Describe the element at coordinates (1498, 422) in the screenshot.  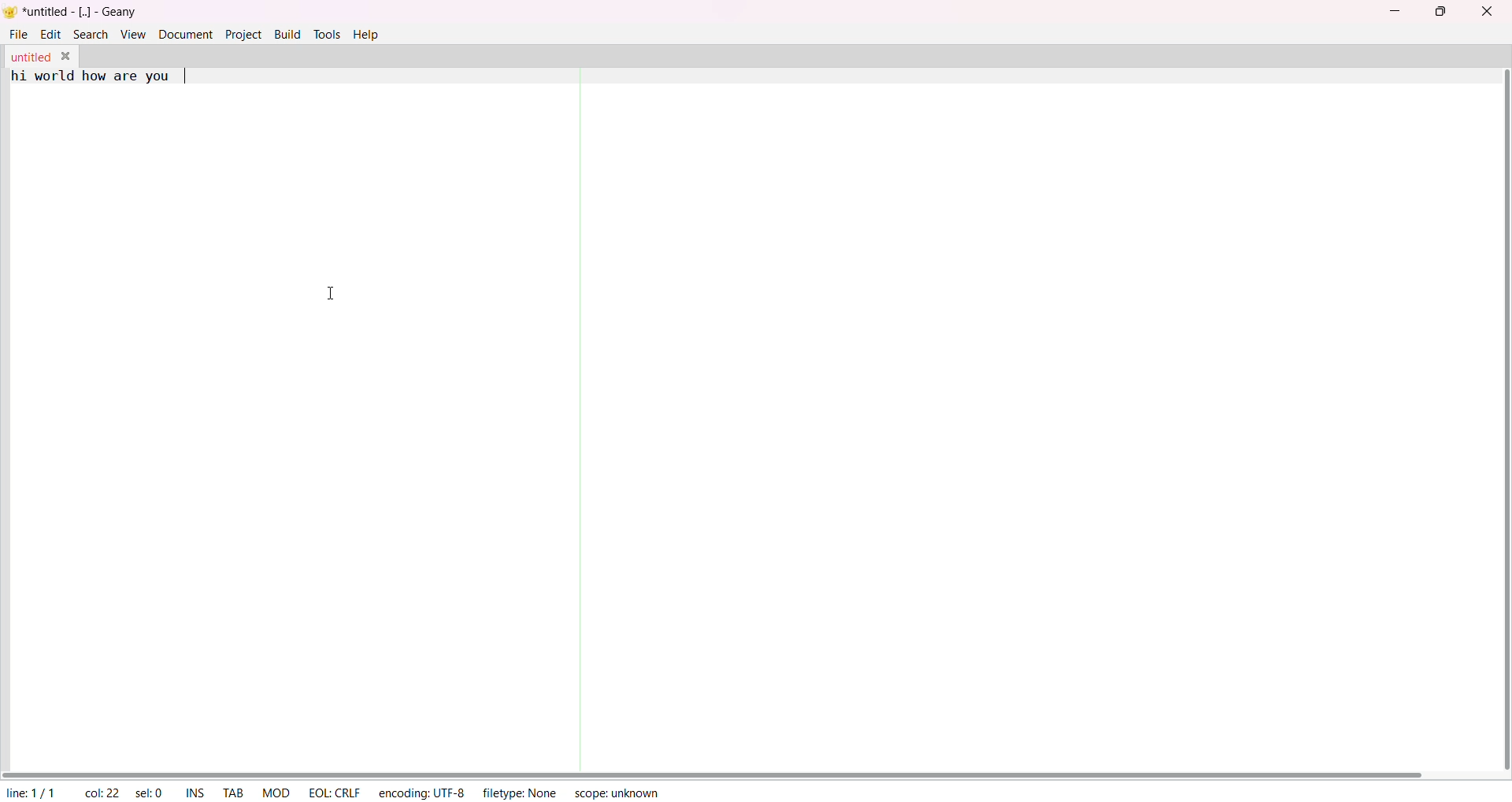
I see `vertical scroll bar` at that location.